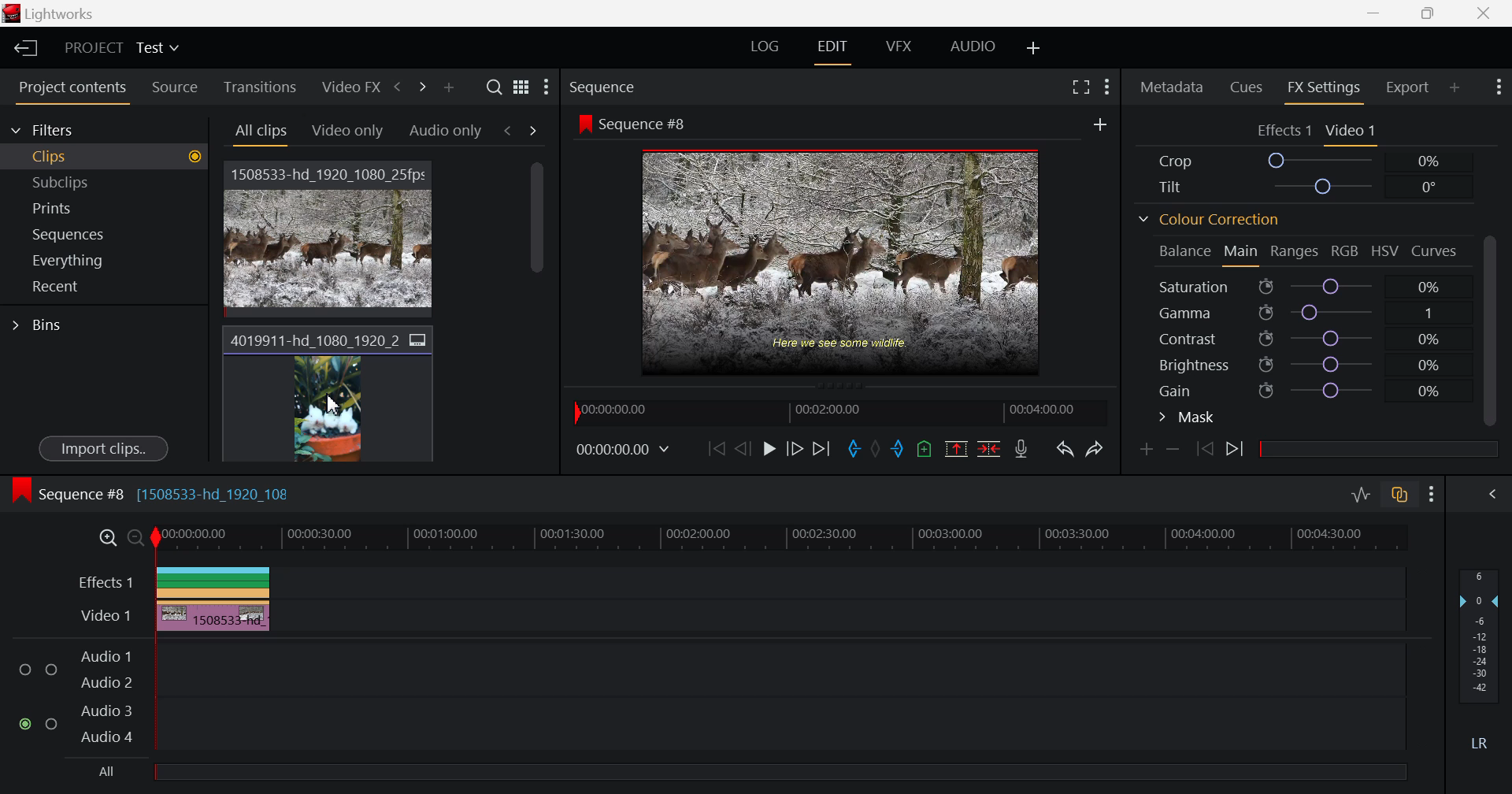 The width and height of the screenshot is (1512, 794). What do you see at coordinates (34, 322) in the screenshot?
I see `Bins` at bounding box center [34, 322].